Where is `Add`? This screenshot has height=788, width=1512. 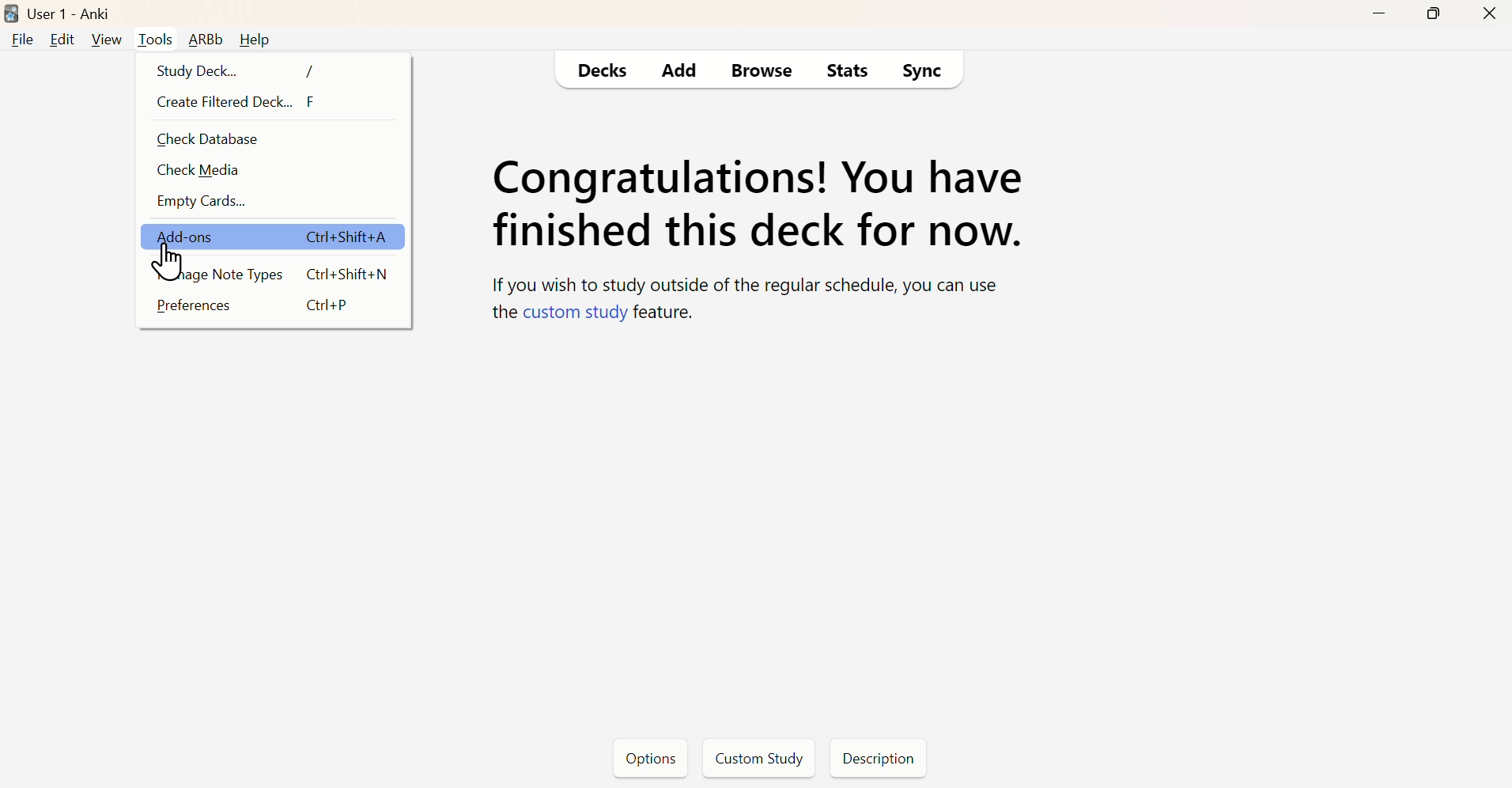 Add is located at coordinates (679, 72).